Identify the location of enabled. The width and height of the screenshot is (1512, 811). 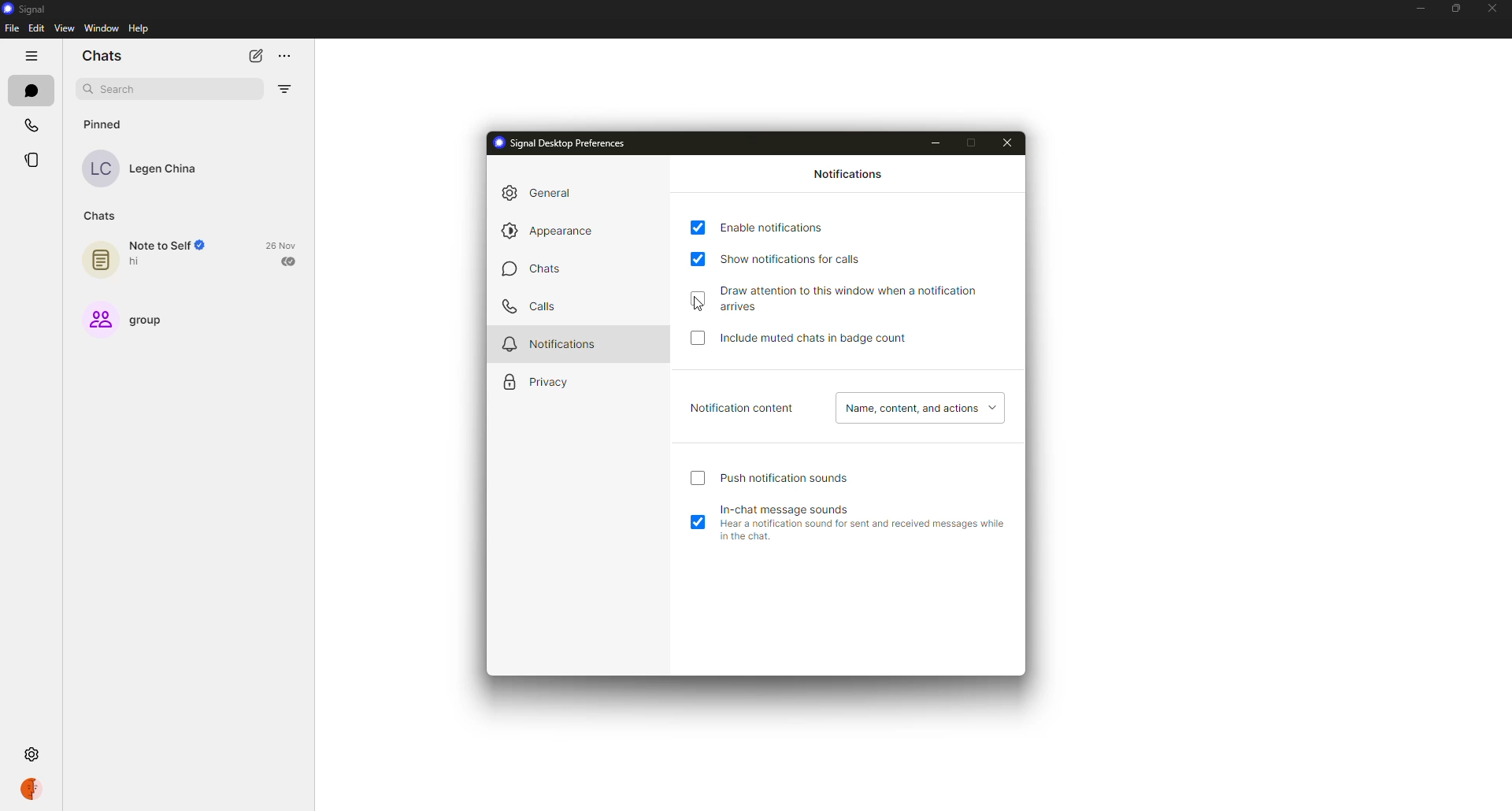
(698, 524).